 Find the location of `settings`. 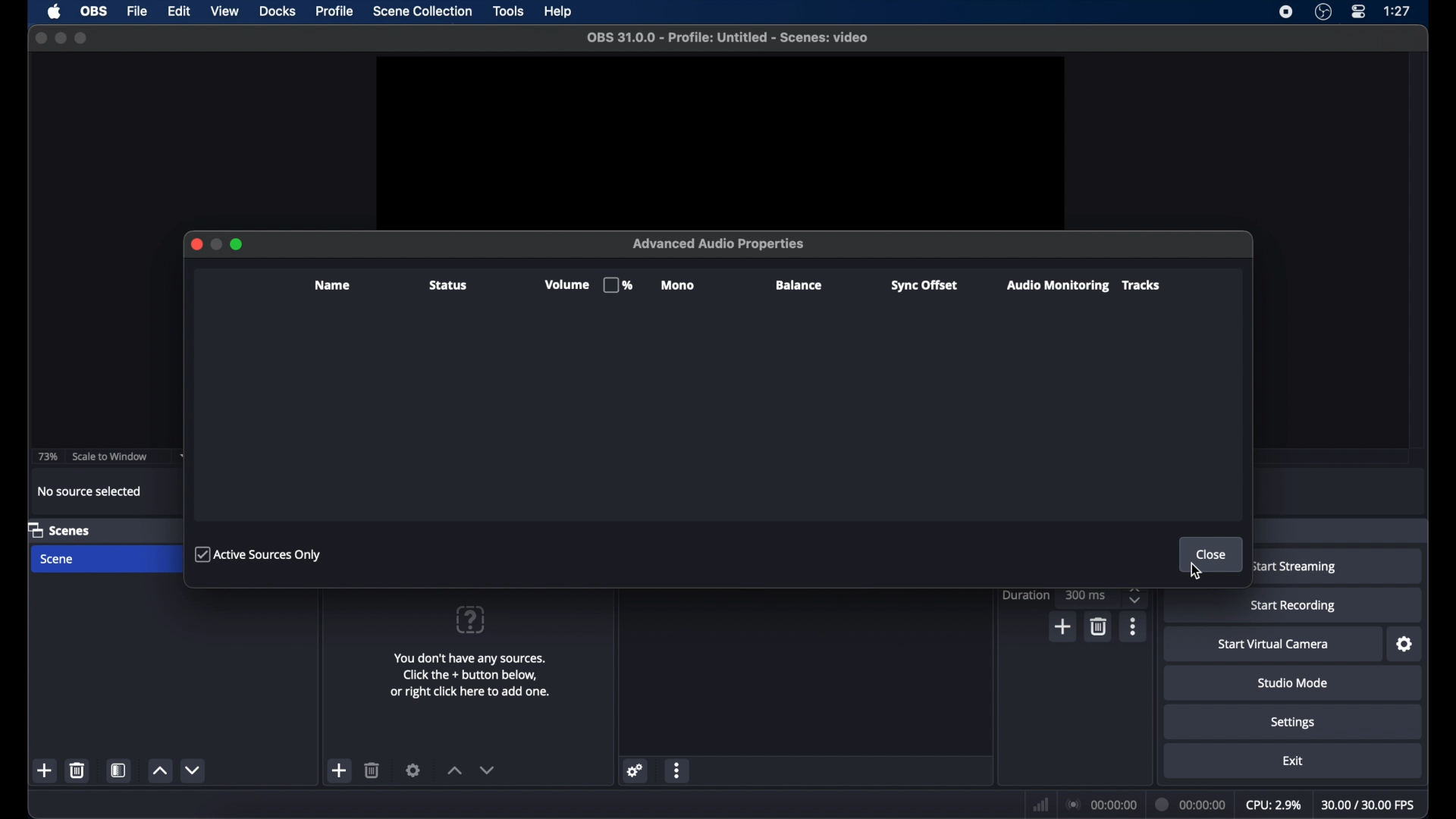

settings is located at coordinates (414, 770).